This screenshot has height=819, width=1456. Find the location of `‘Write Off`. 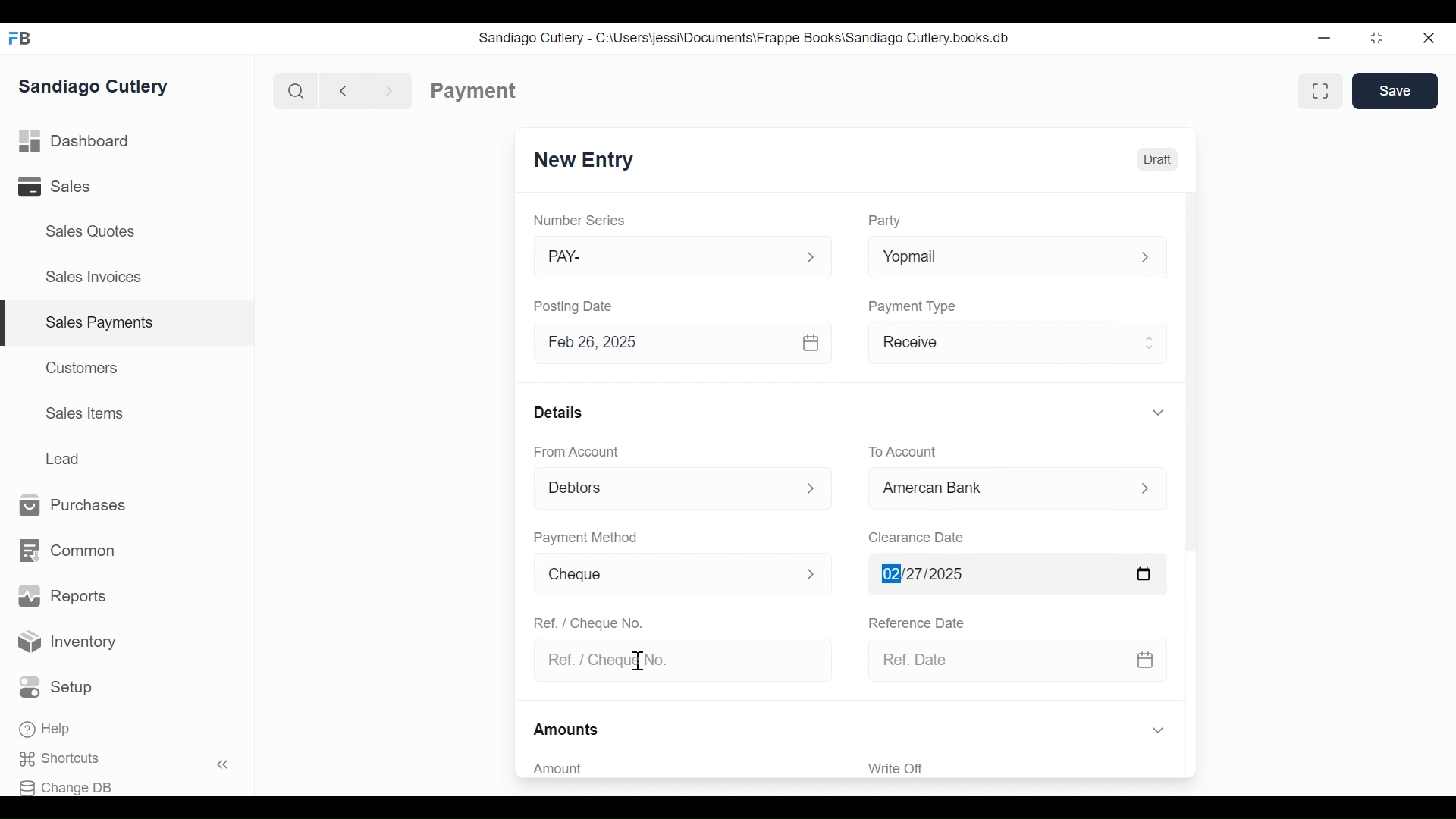

‘Write Off is located at coordinates (1019, 768).